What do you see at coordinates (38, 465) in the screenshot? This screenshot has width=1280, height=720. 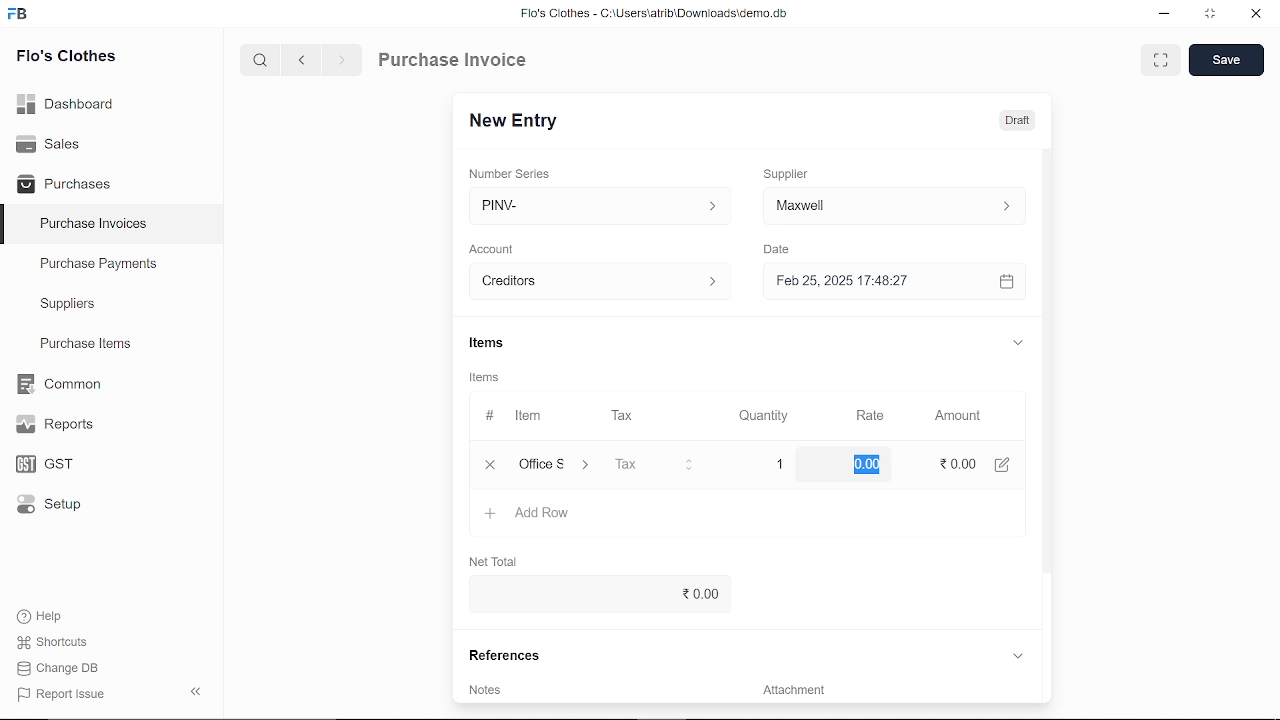 I see `GST` at bounding box center [38, 465].